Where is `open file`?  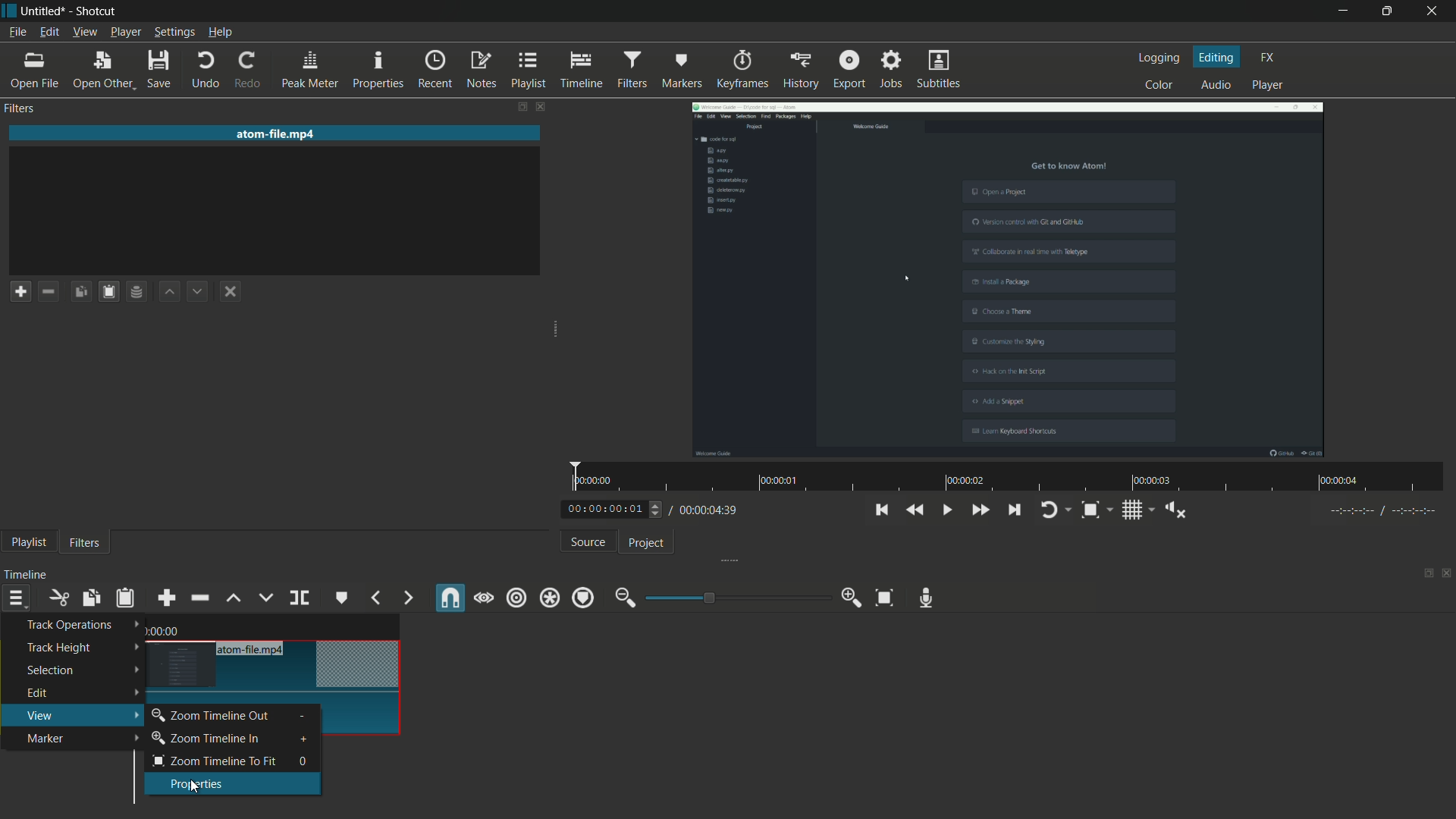 open file is located at coordinates (31, 71).